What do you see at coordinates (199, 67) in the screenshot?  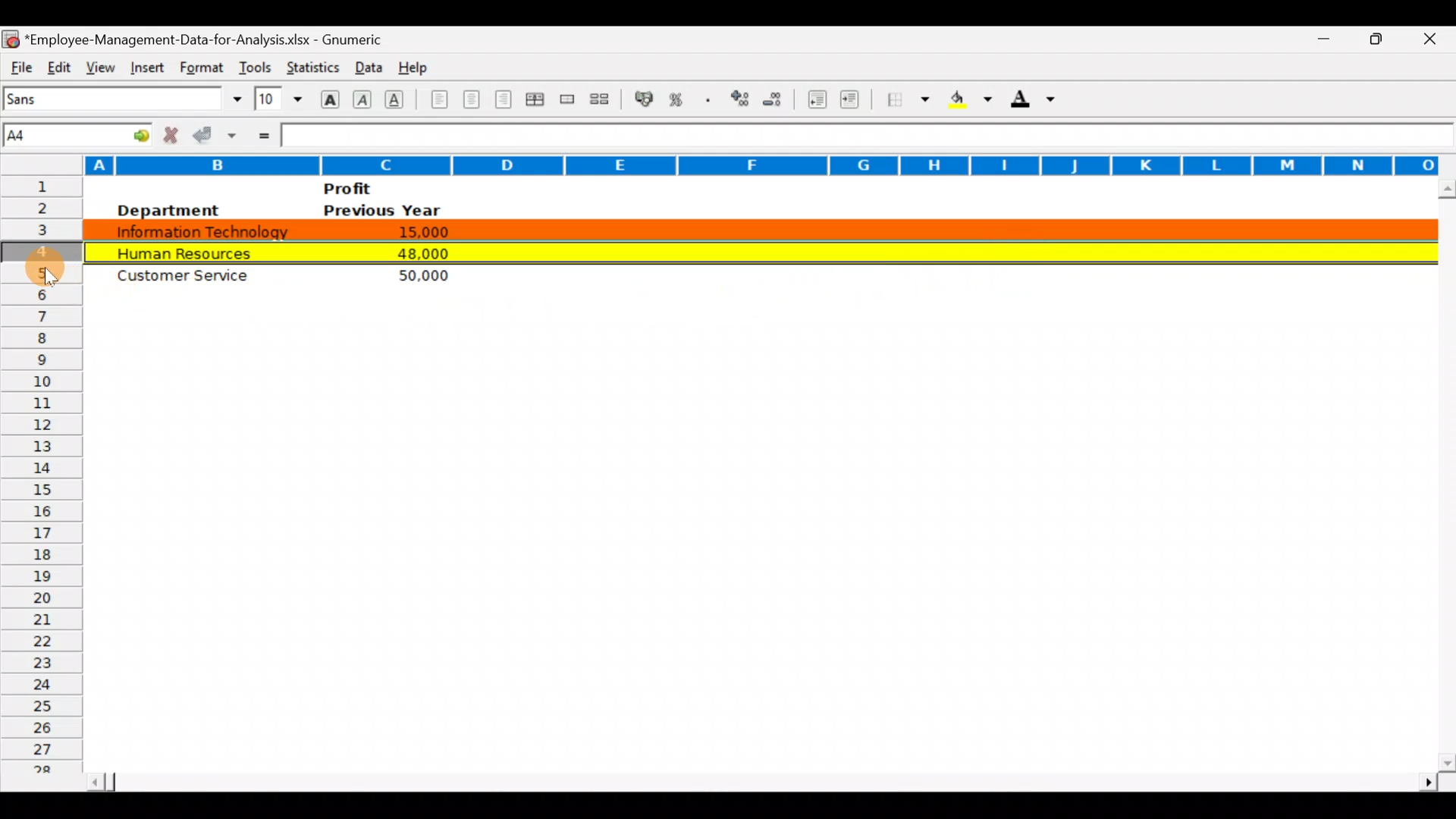 I see `Format` at bounding box center [199, 67].